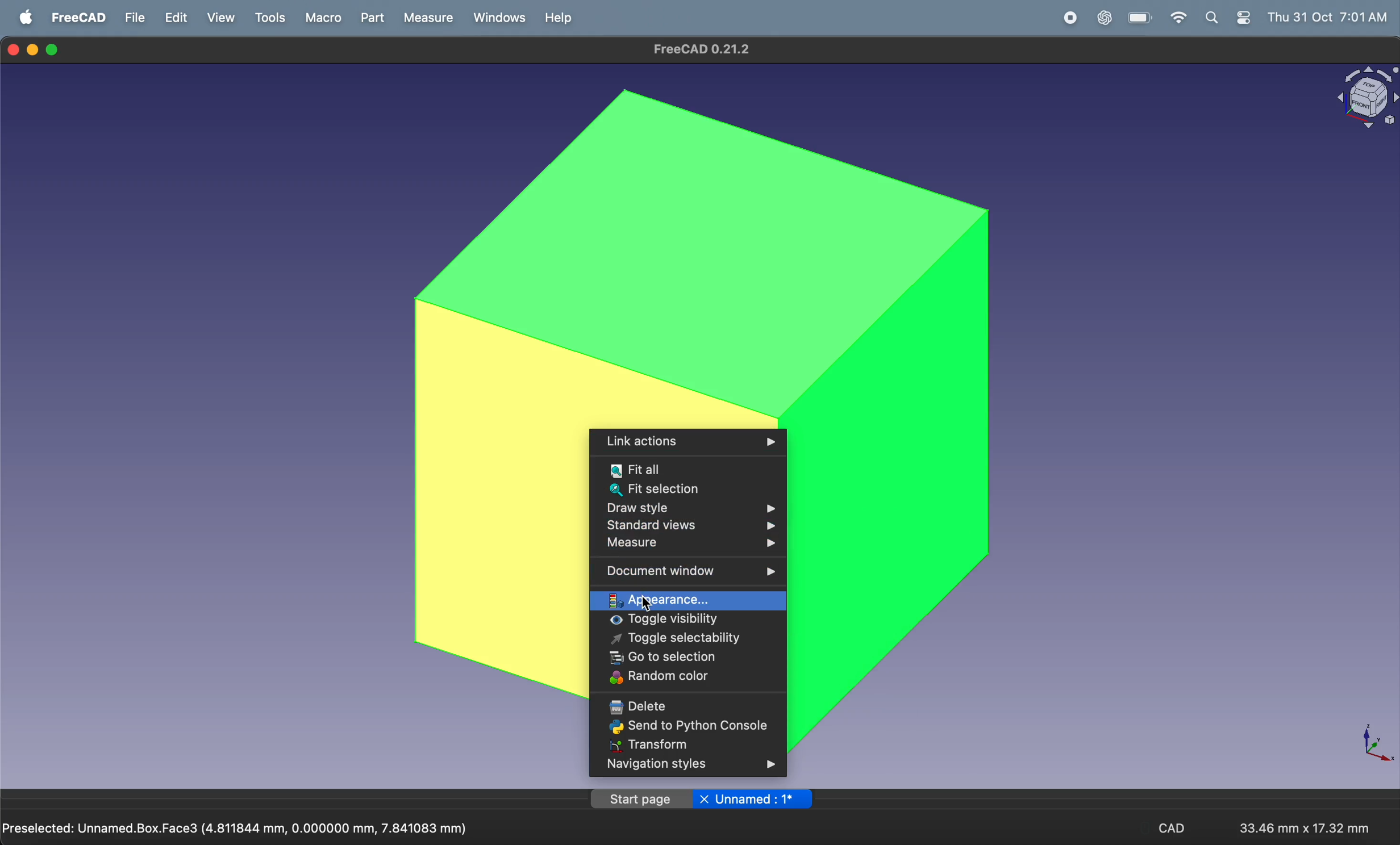 This screenshot has height=845, width=1400. I want to click on part, so click(375, 19).